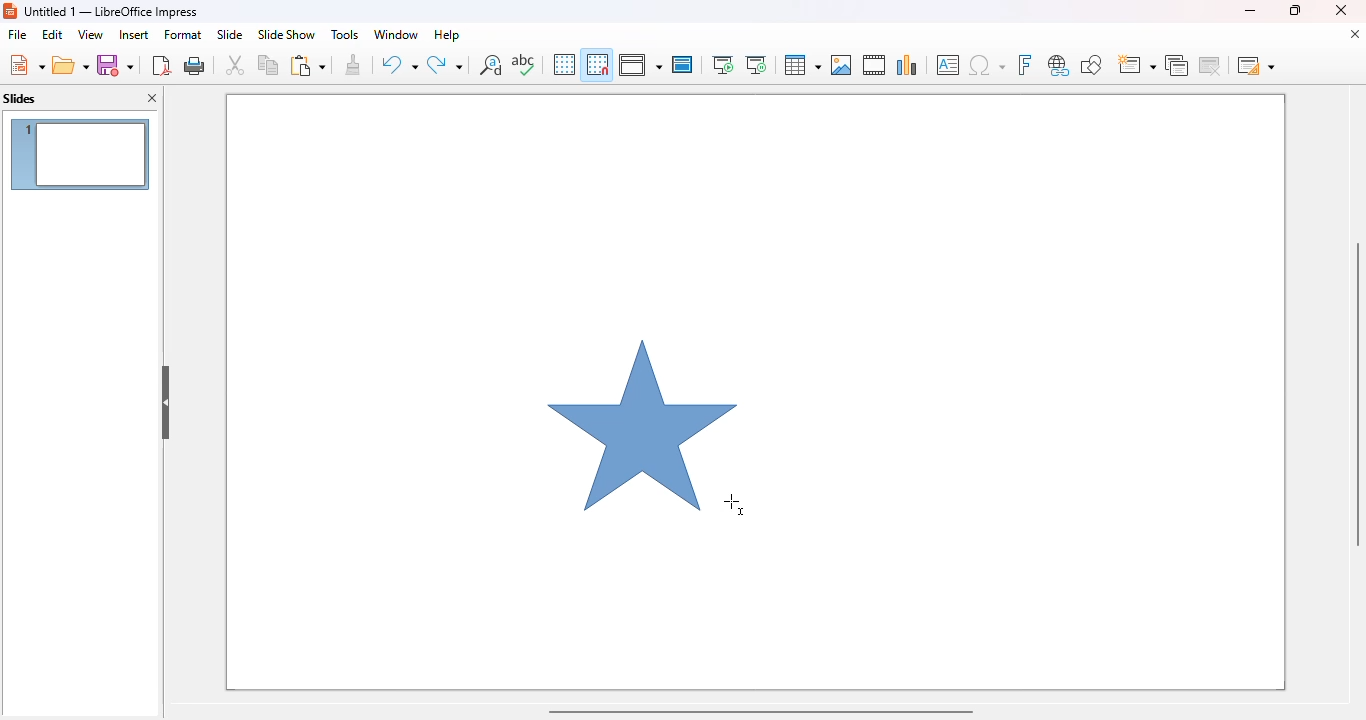 The image size is (1366, 720). I want to click on print, so click(196, 65).